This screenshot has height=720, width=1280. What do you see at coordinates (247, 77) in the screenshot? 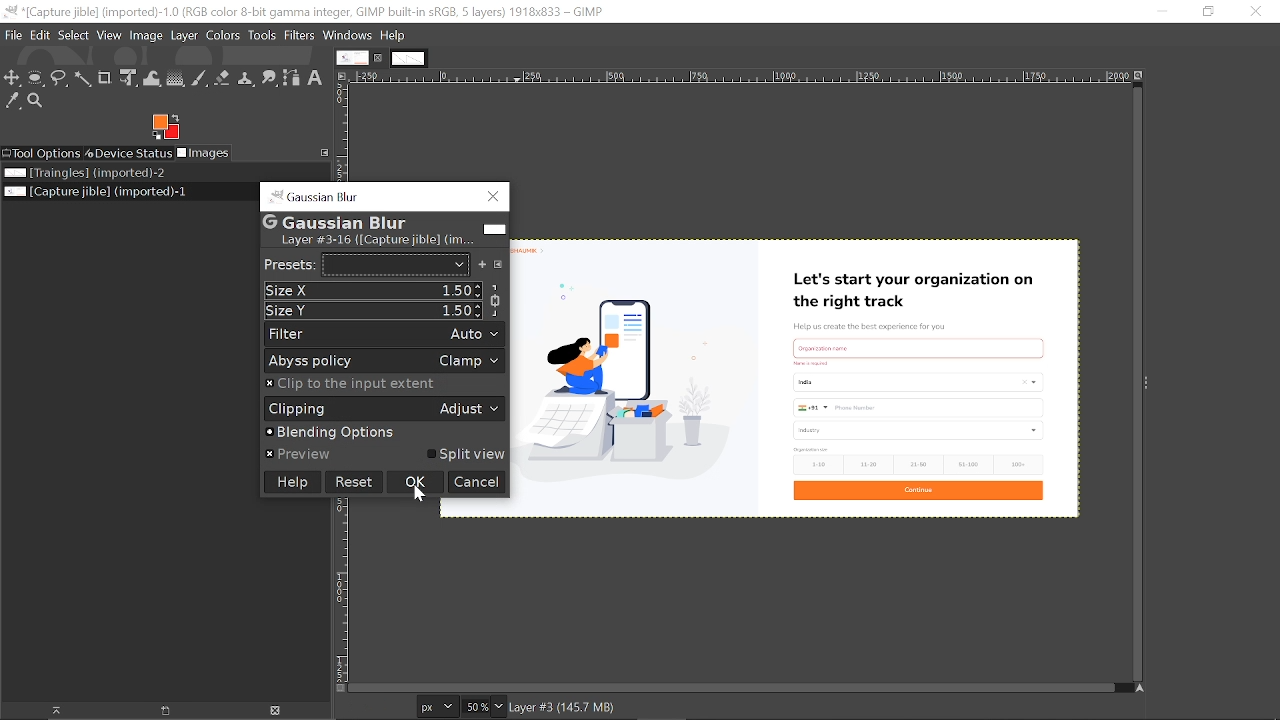
I see `Clone tool` at bounding box center [247, 77].